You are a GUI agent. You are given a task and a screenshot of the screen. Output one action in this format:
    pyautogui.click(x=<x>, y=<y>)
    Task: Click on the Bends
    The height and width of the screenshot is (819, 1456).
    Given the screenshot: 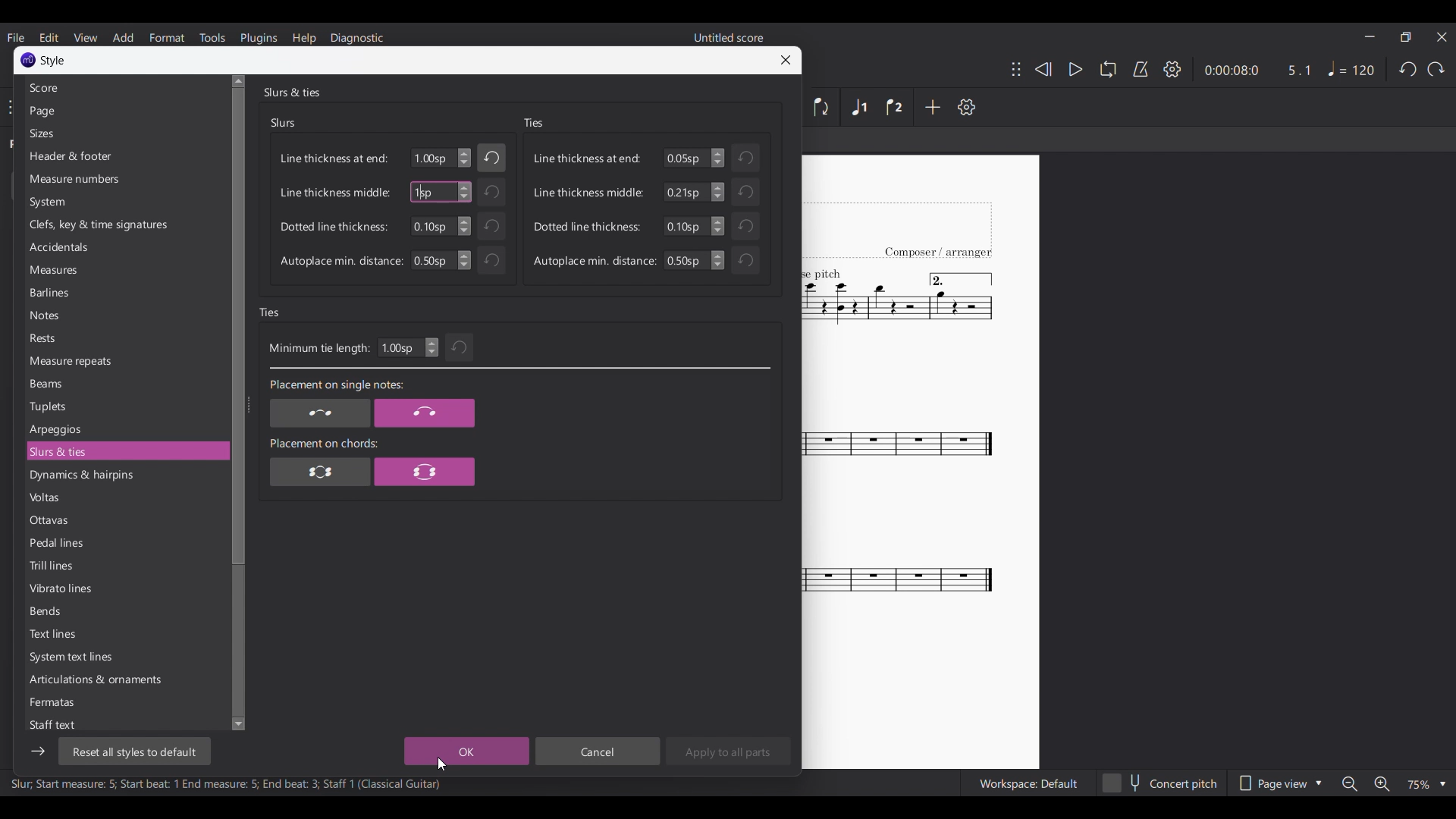 What is the action you would take?
    pyautogui.click(x=125, y=611)
    